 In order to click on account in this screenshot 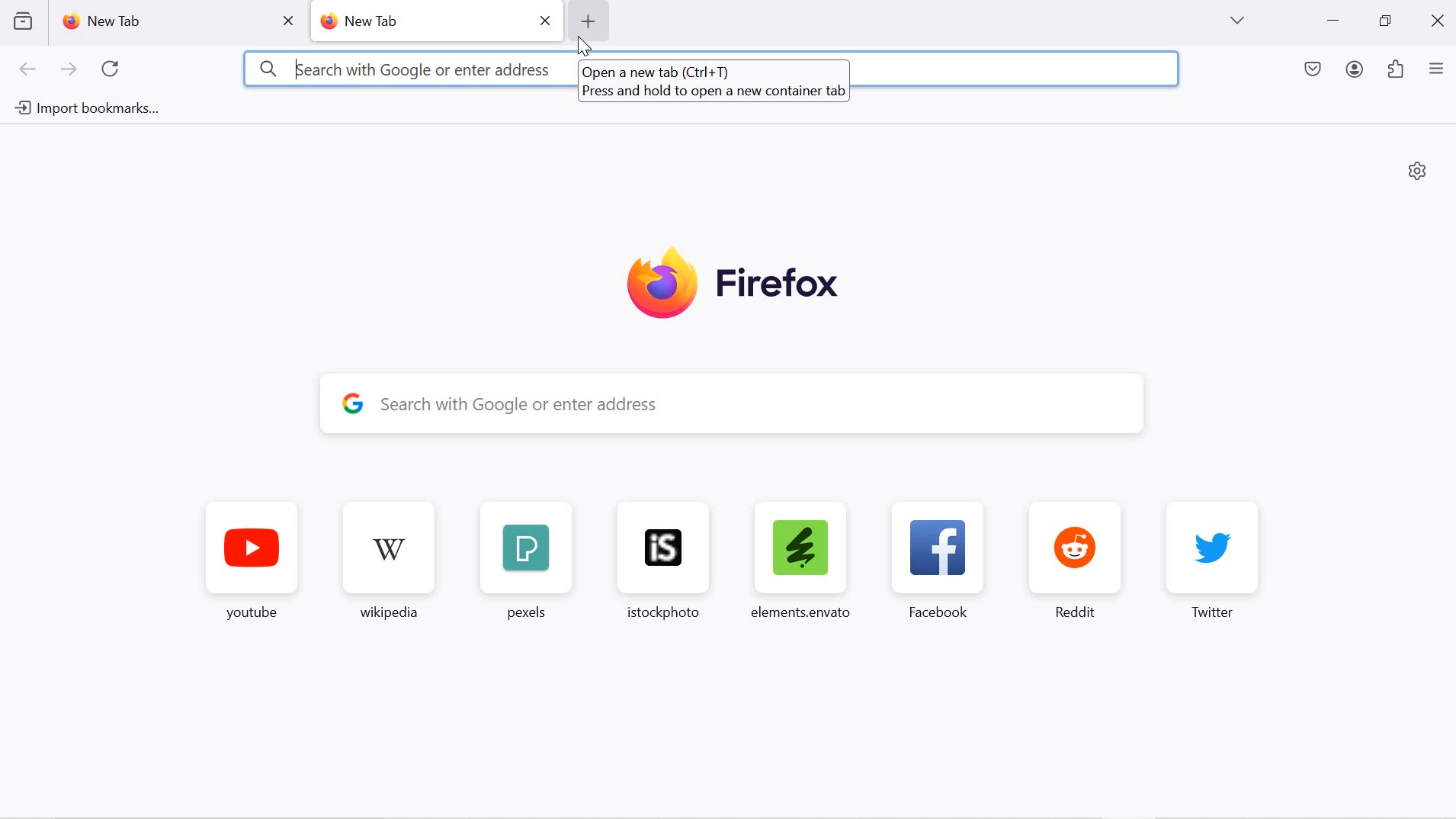, I will do `click(1357, 72)`.